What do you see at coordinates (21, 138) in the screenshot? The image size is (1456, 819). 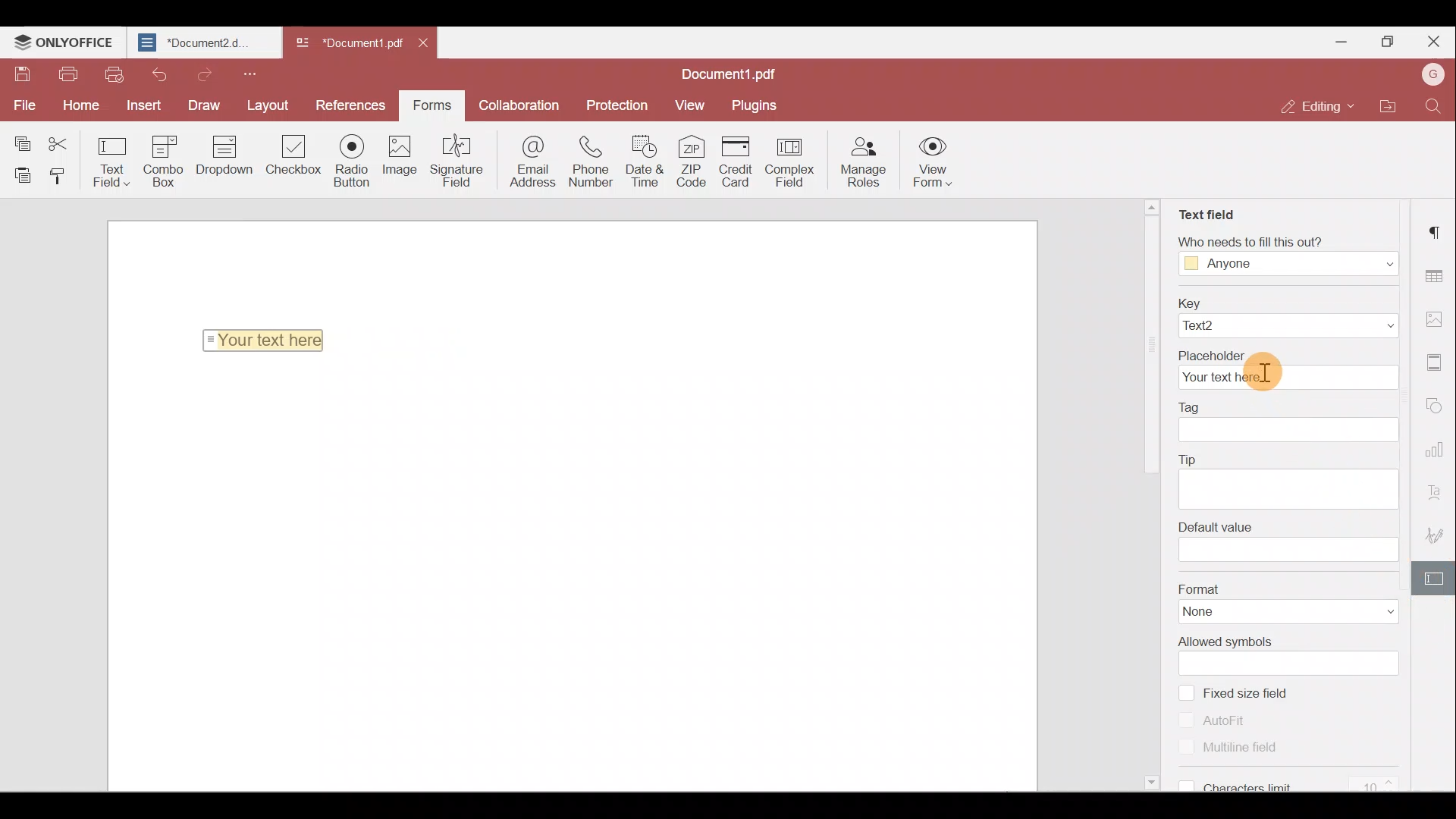 I see `Copy` at bounding box center [21, 138].